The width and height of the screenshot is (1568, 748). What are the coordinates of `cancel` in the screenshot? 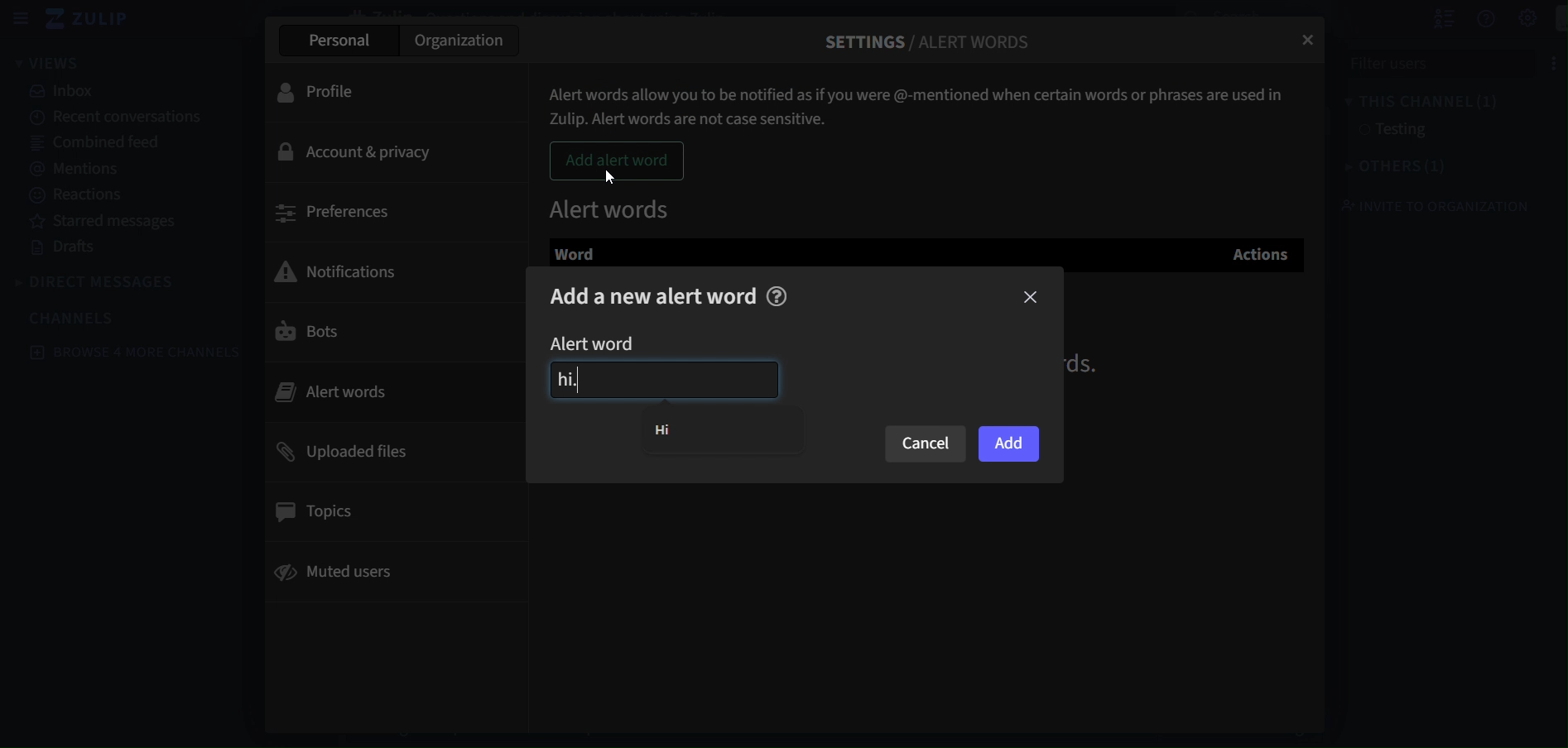 It's located at (925, 444).